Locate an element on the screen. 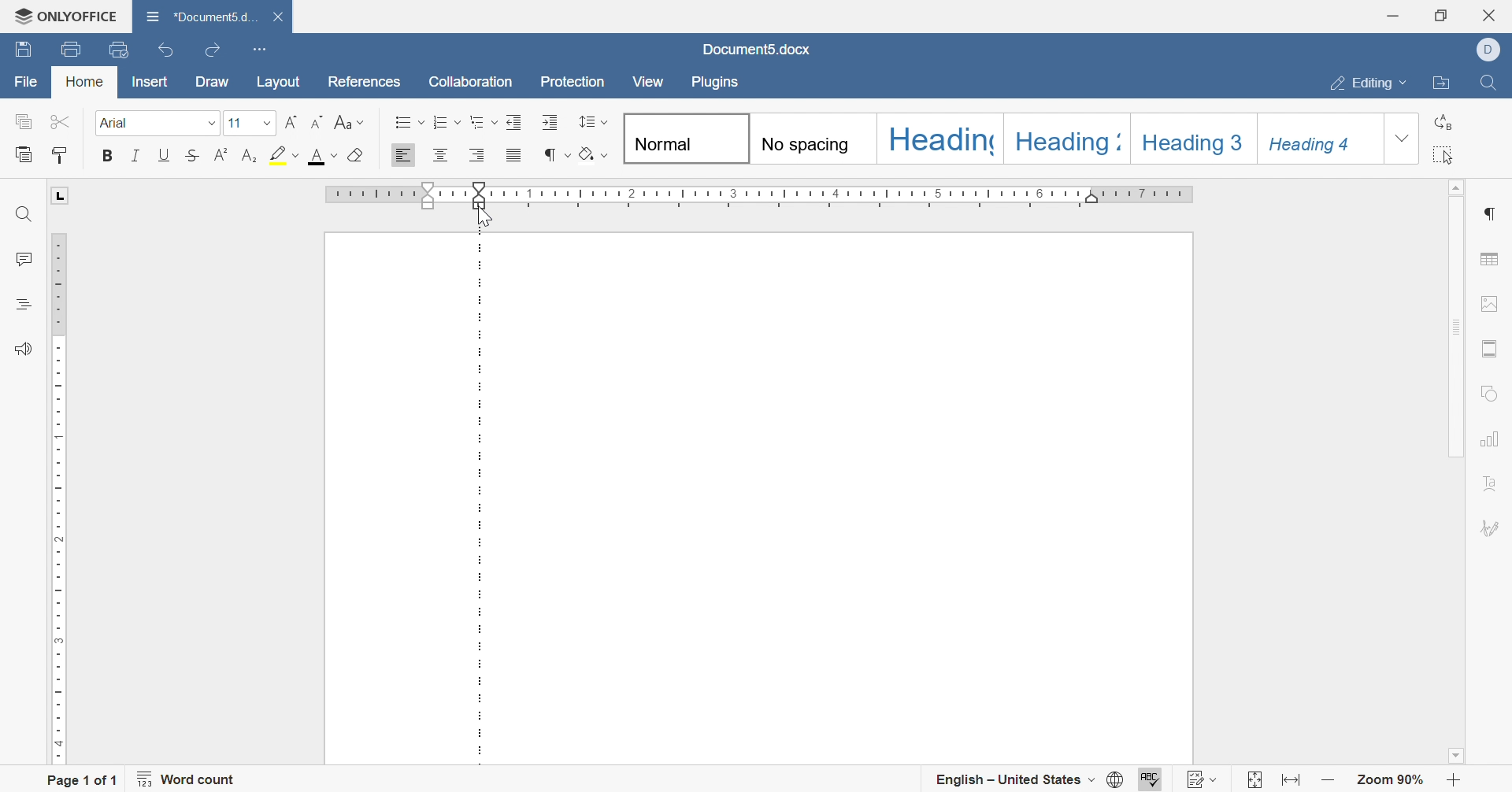  subscript is located at coordinates (250, 154).